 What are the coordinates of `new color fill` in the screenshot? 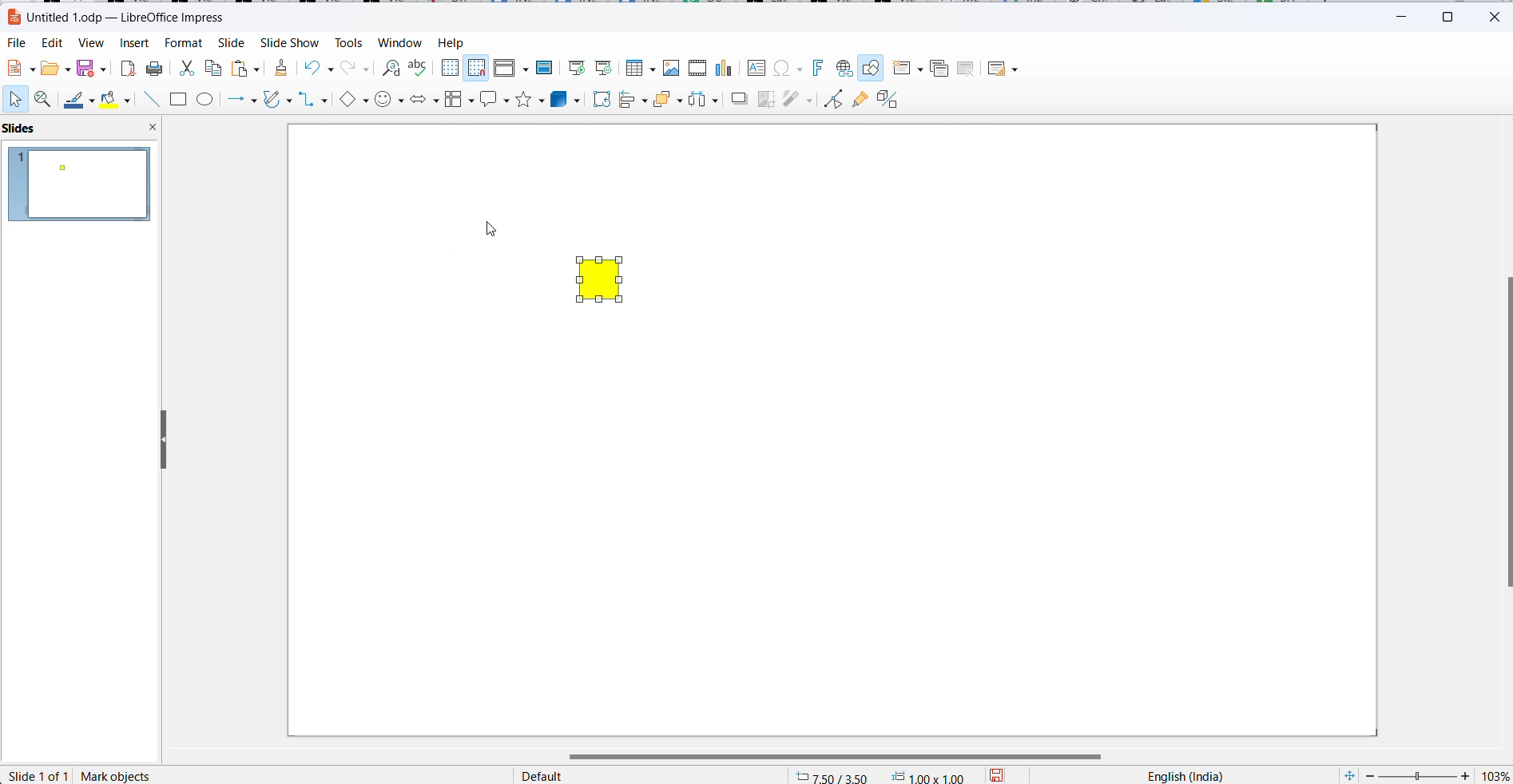 It's located at (600, 279).